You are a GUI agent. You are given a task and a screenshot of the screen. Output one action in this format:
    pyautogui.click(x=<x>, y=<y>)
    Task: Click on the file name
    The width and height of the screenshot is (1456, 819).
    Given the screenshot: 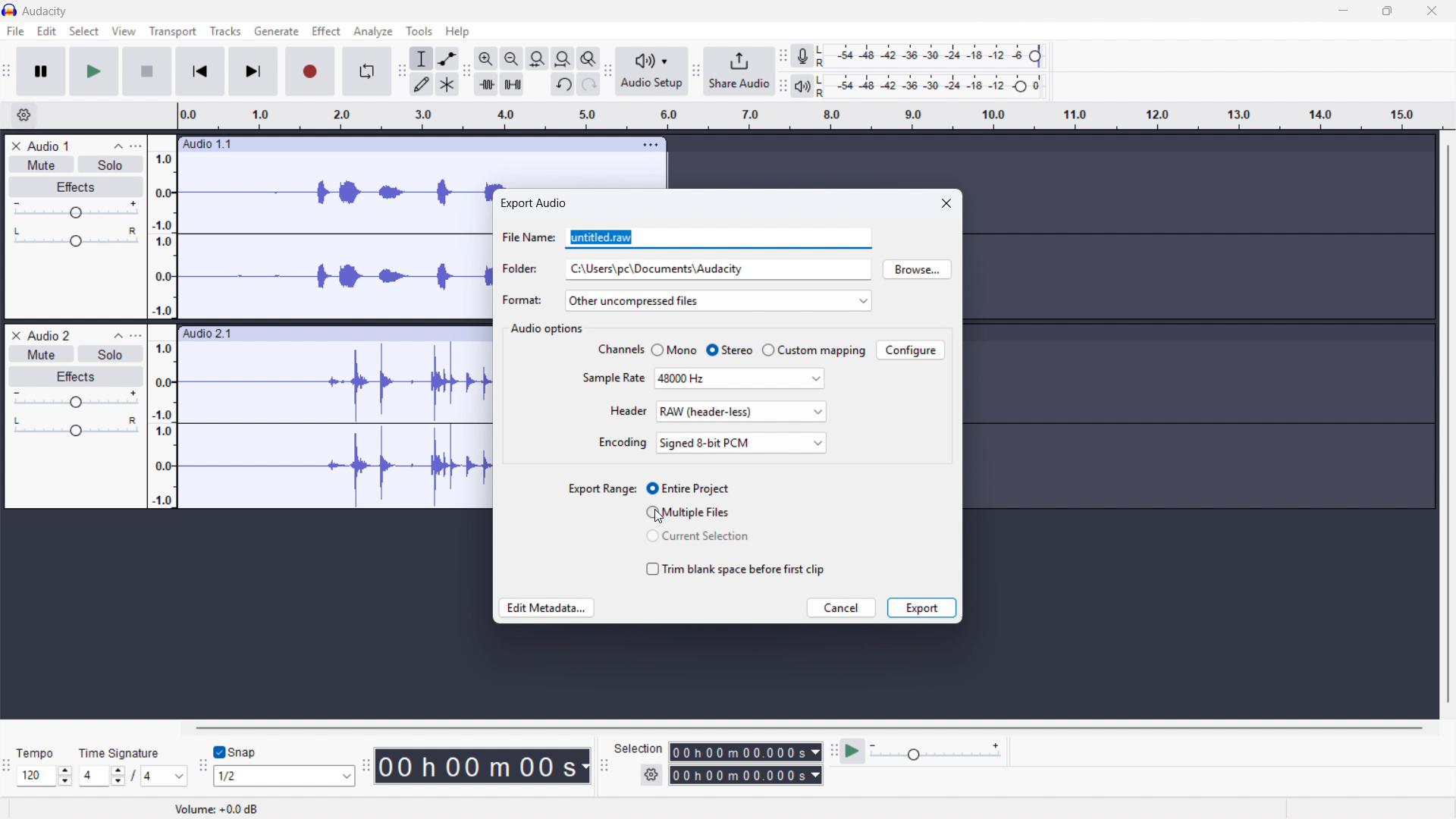 What is the action you would take?
    pyautogui.click(x=528, y=237)
    